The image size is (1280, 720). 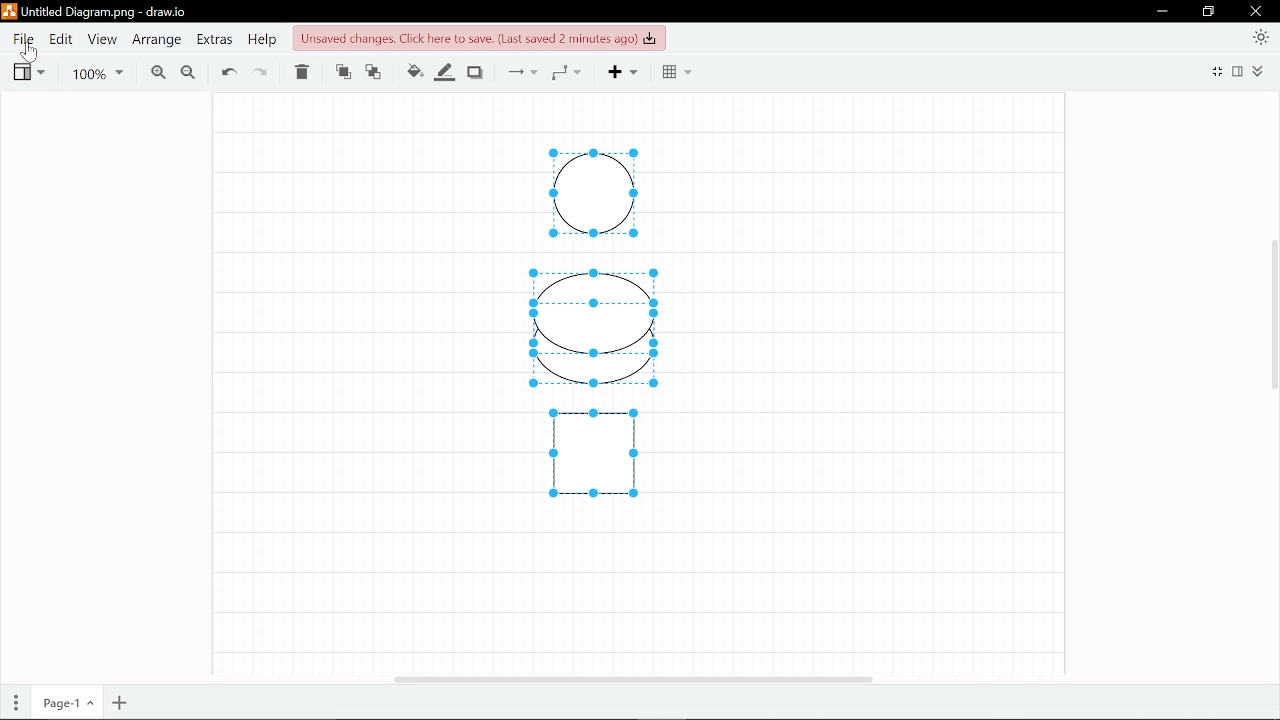 I want to click on Grid, so click(x=675, y=72).